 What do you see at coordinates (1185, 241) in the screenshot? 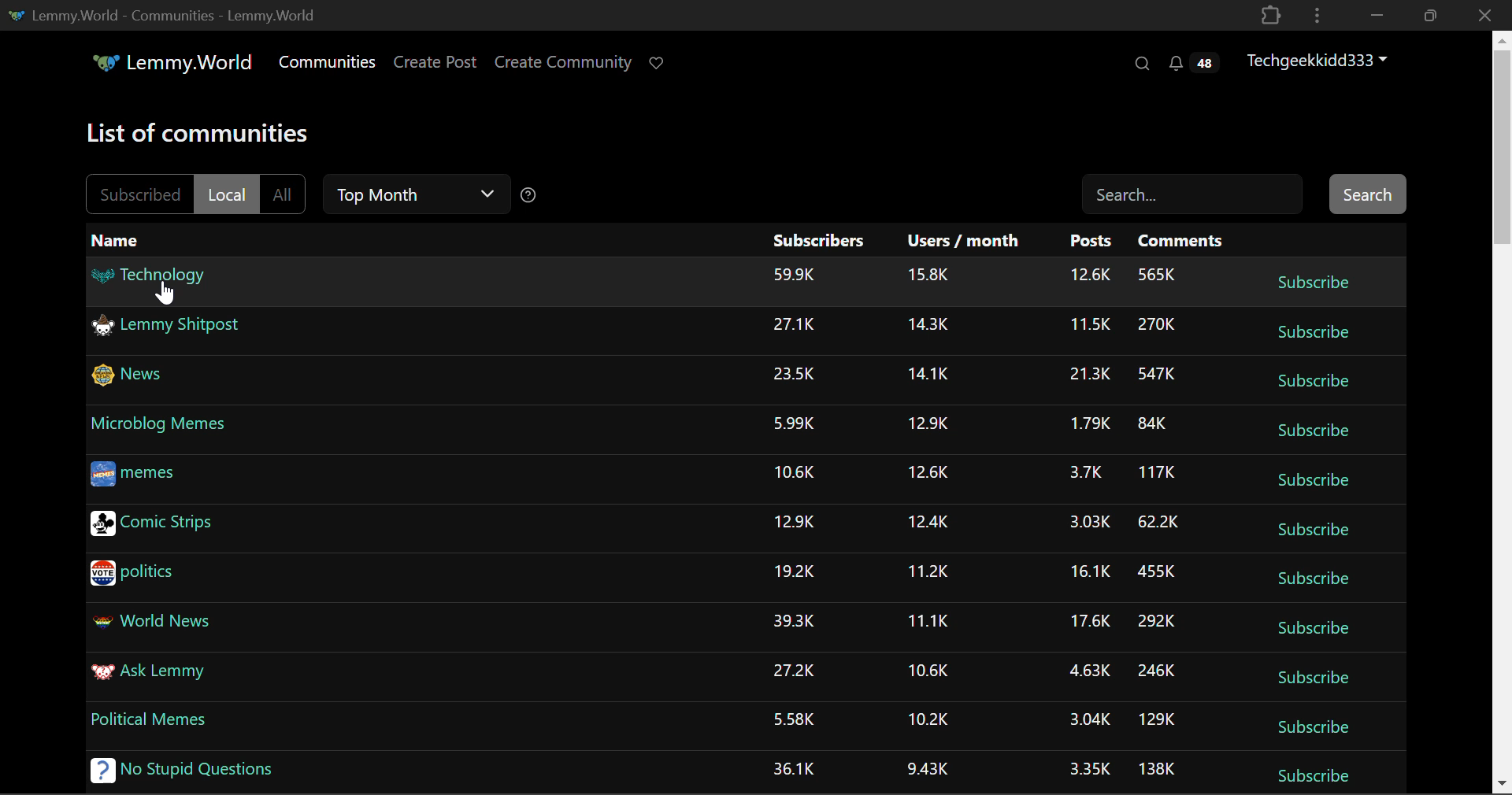
I see `Comments` at bounding box center [1185, 241].